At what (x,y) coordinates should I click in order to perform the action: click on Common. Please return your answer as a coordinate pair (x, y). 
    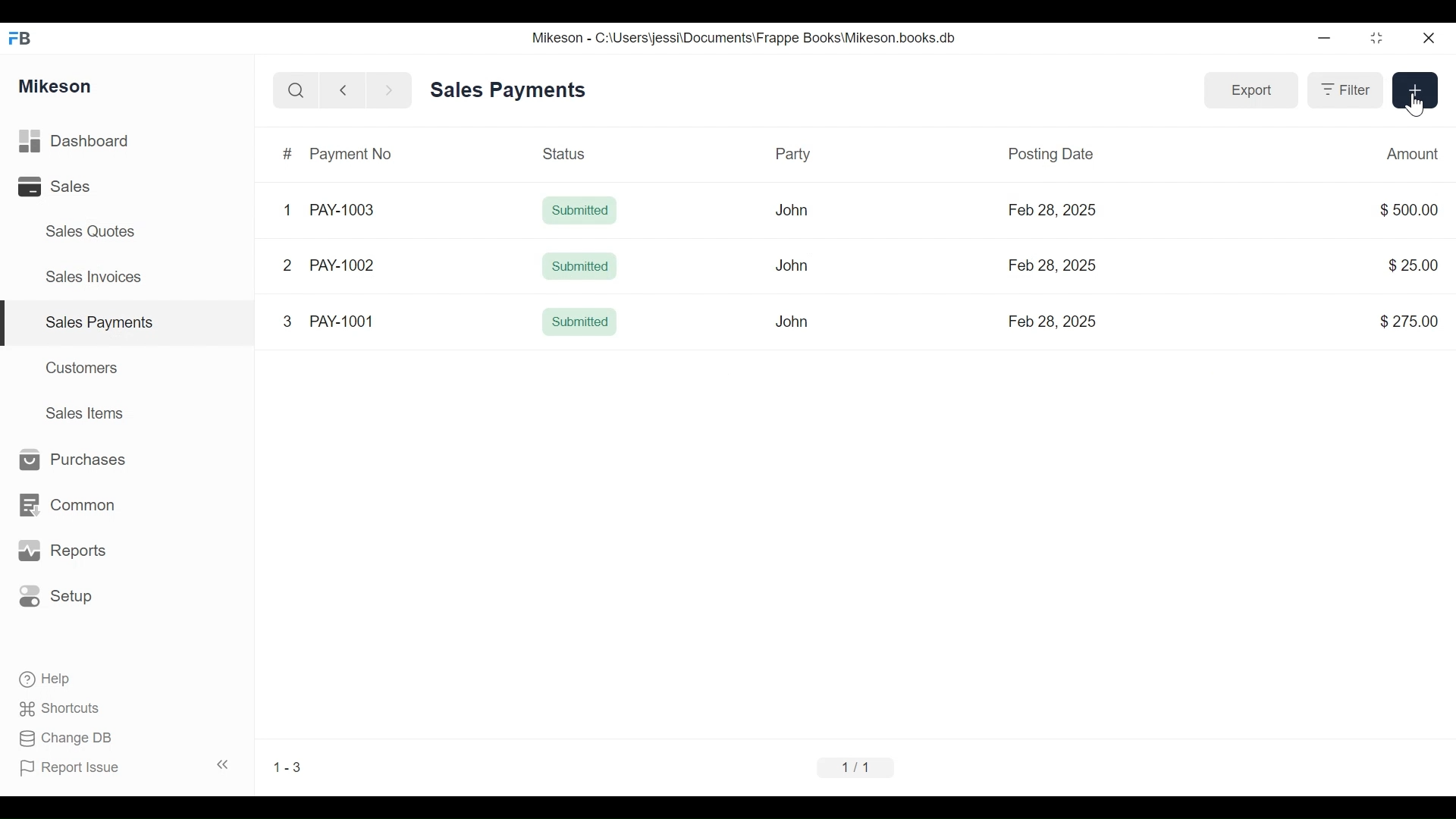
    Looking at the image, I should click on (75, 497).